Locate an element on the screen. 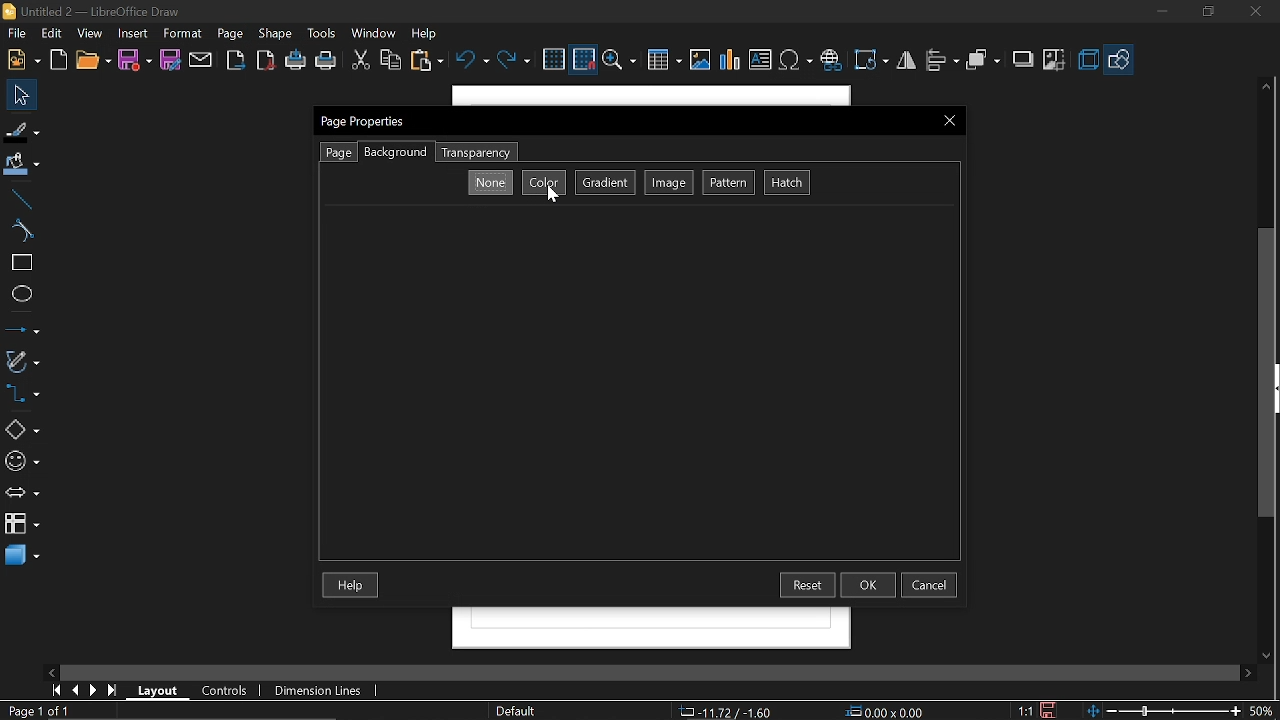 The height and width of the screenshot is (720, 1280). Edit is located at coordinates (51, 34).